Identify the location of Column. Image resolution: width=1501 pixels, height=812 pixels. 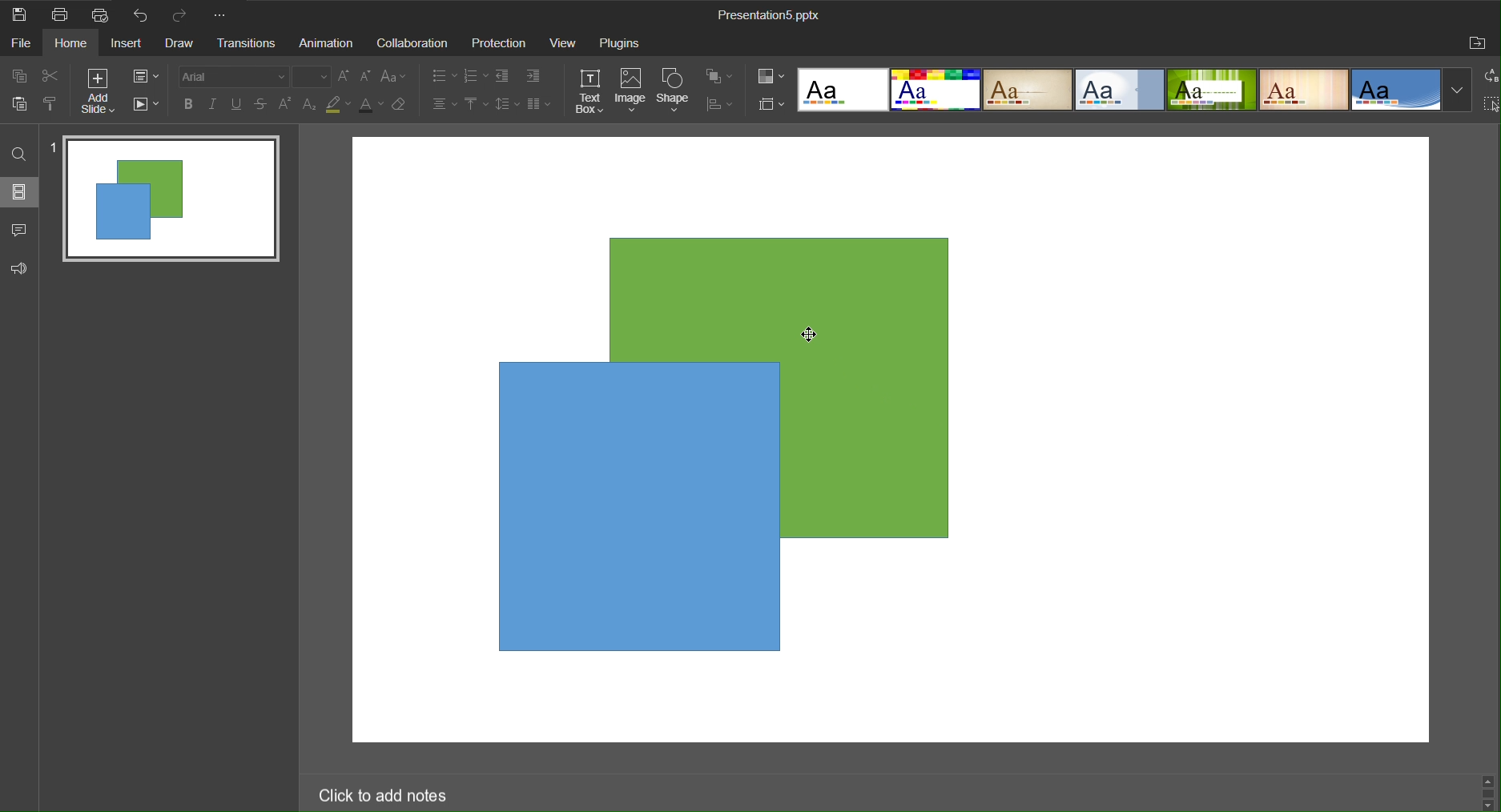
(542, 106).